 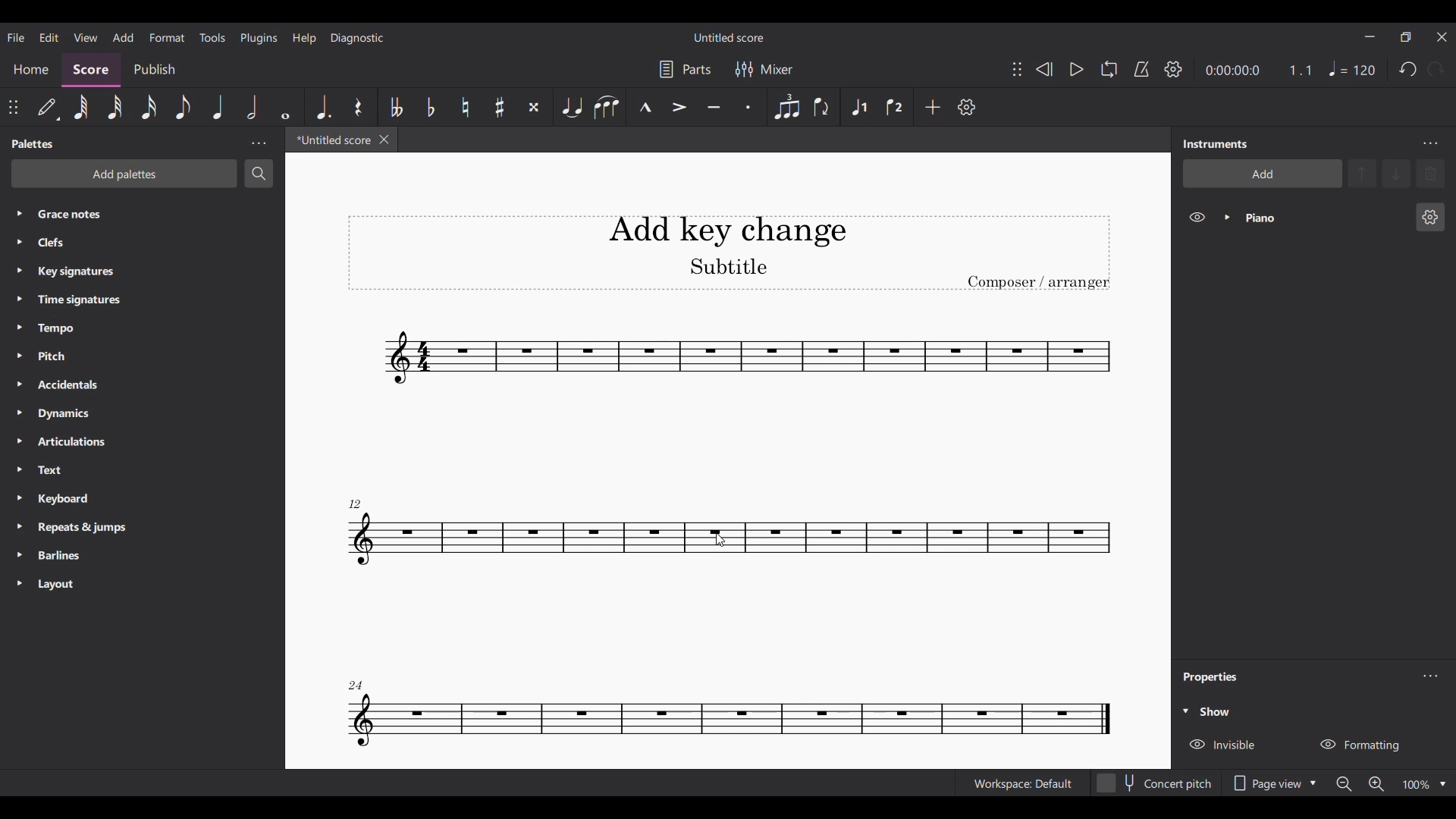 What do you see at coordinates (1442, 37) in the screenshot?
I see `Close interface` at bounding box center [1442, 37].